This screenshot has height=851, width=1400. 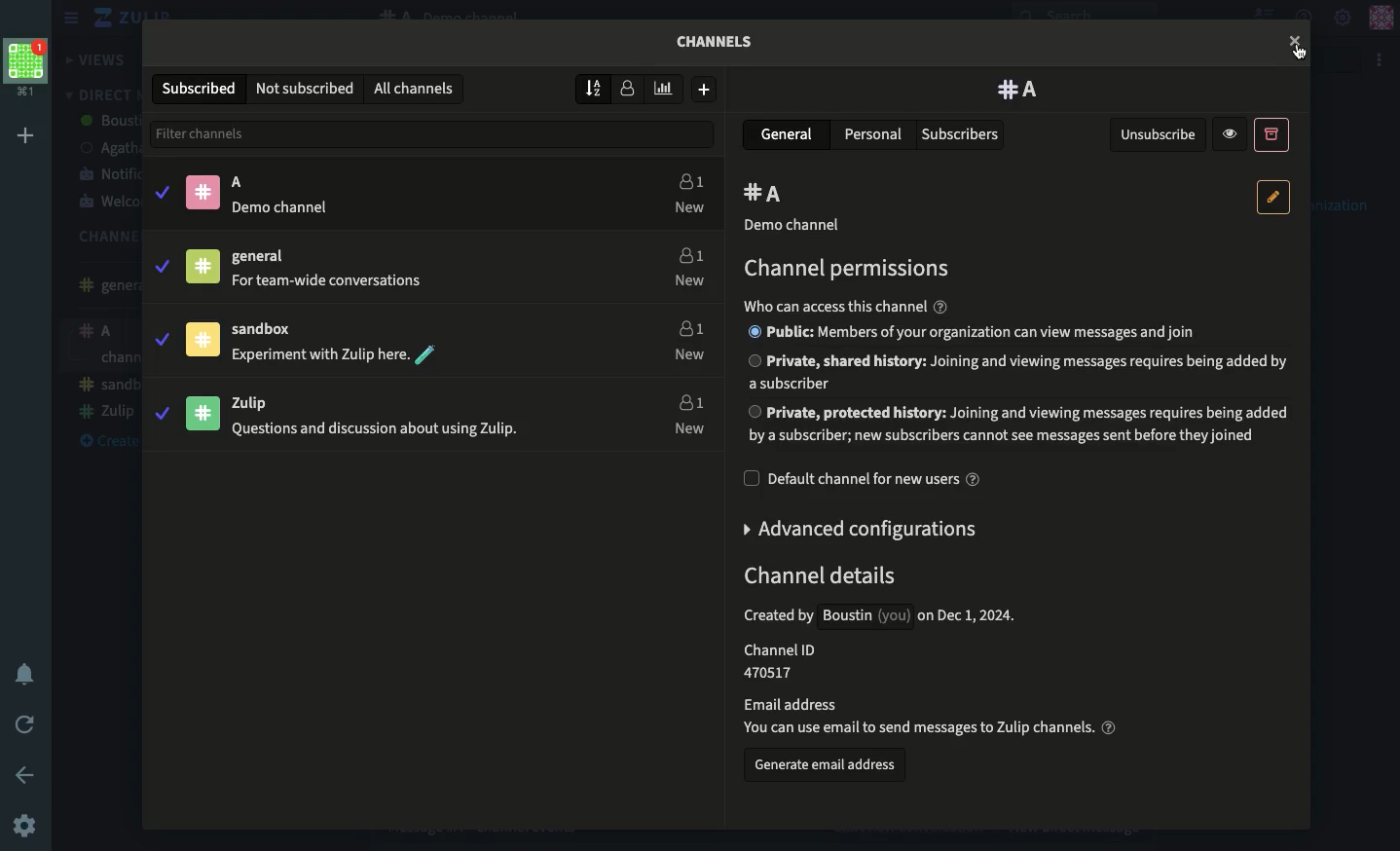 I want to click on Options, so click(x=1381, y=60).